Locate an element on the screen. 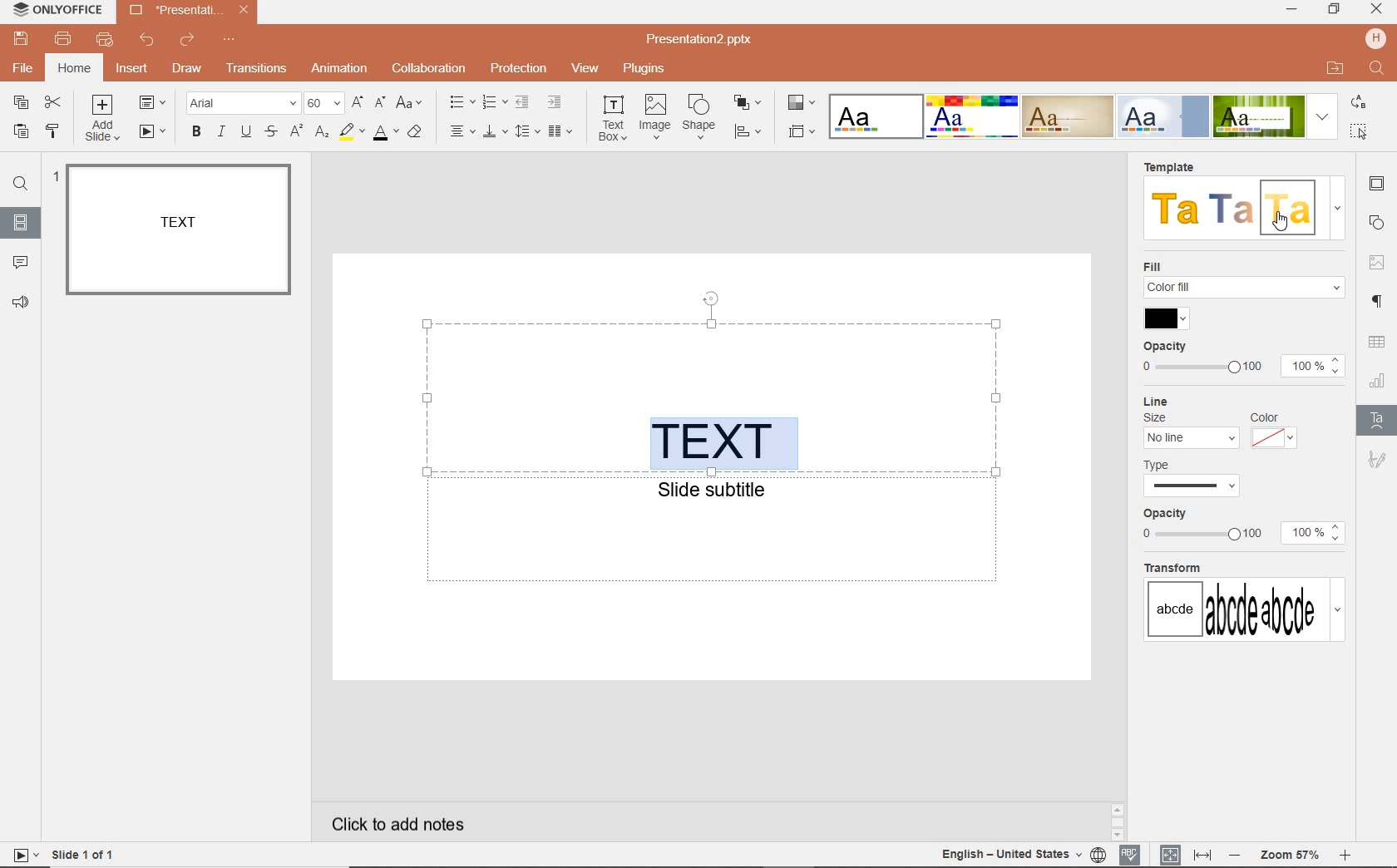 The height and width of the screenshot is (868, 1397). CUSTOMIZE QUICK ACCESS TOOLBAR is located at coordinates (228, 42).